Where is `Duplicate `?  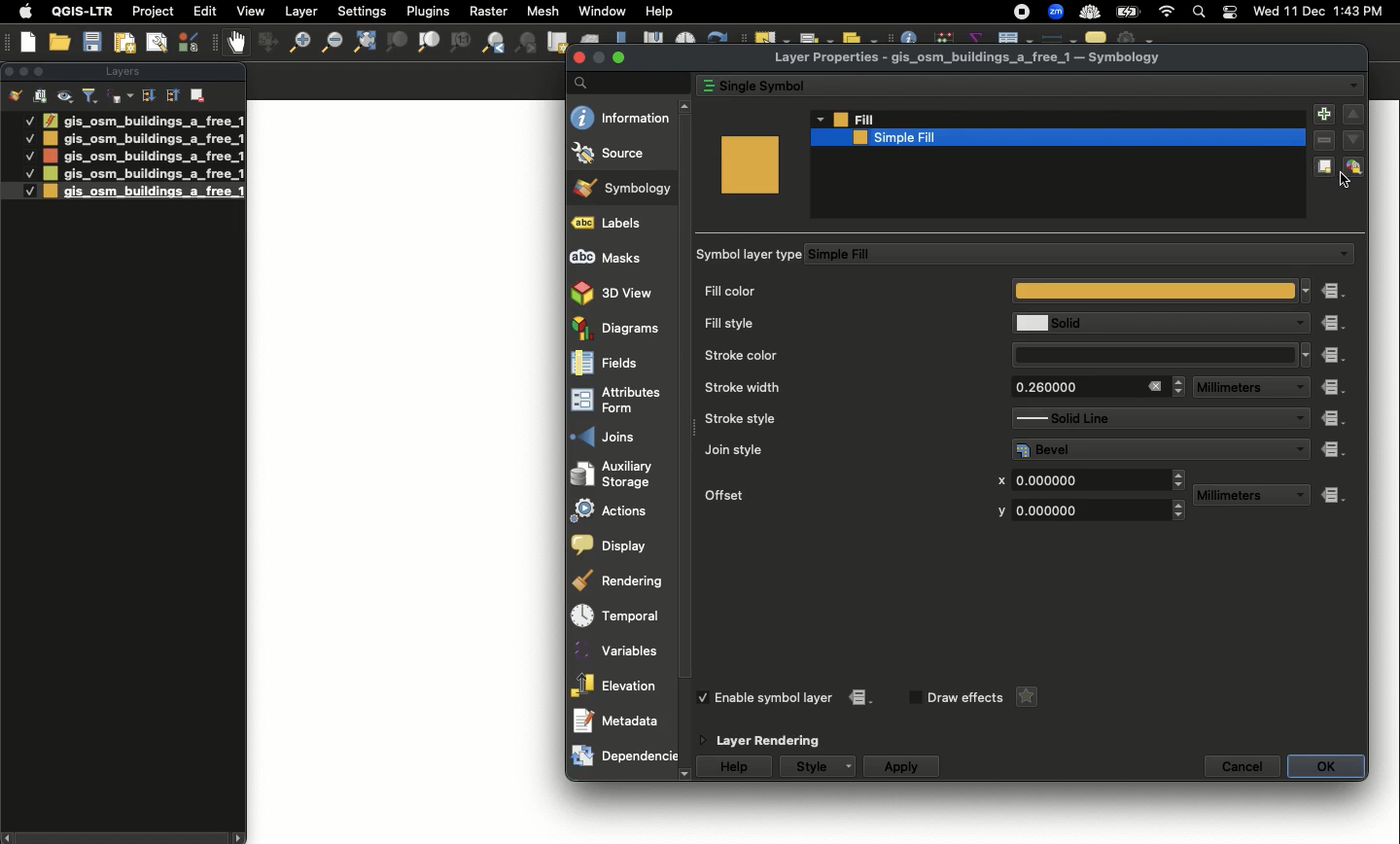
Duplicate  is located at coordinates (1324, 168).